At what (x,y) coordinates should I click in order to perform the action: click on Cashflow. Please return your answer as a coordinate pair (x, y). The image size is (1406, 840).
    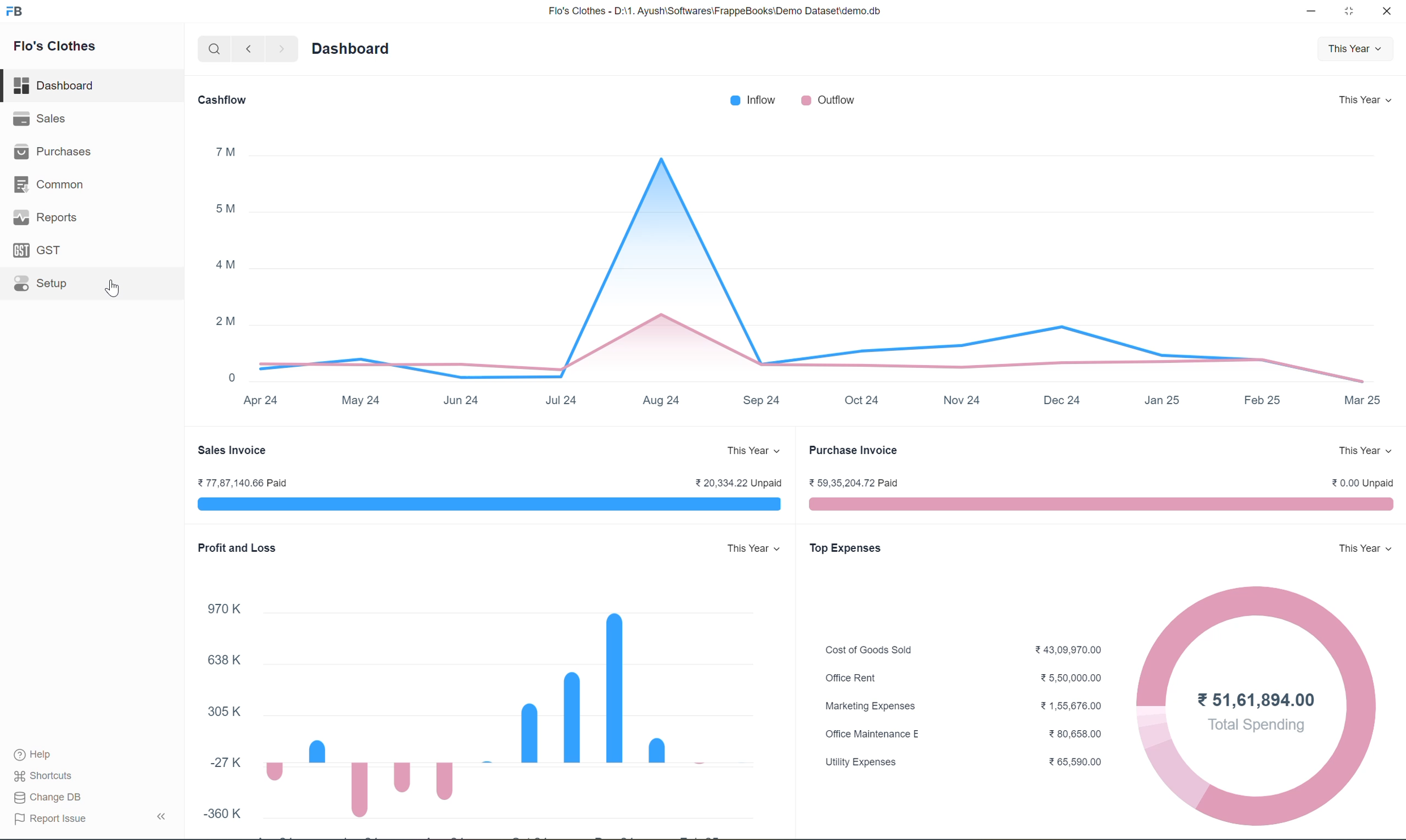
    Looking at the image, I should click on (221, 100).